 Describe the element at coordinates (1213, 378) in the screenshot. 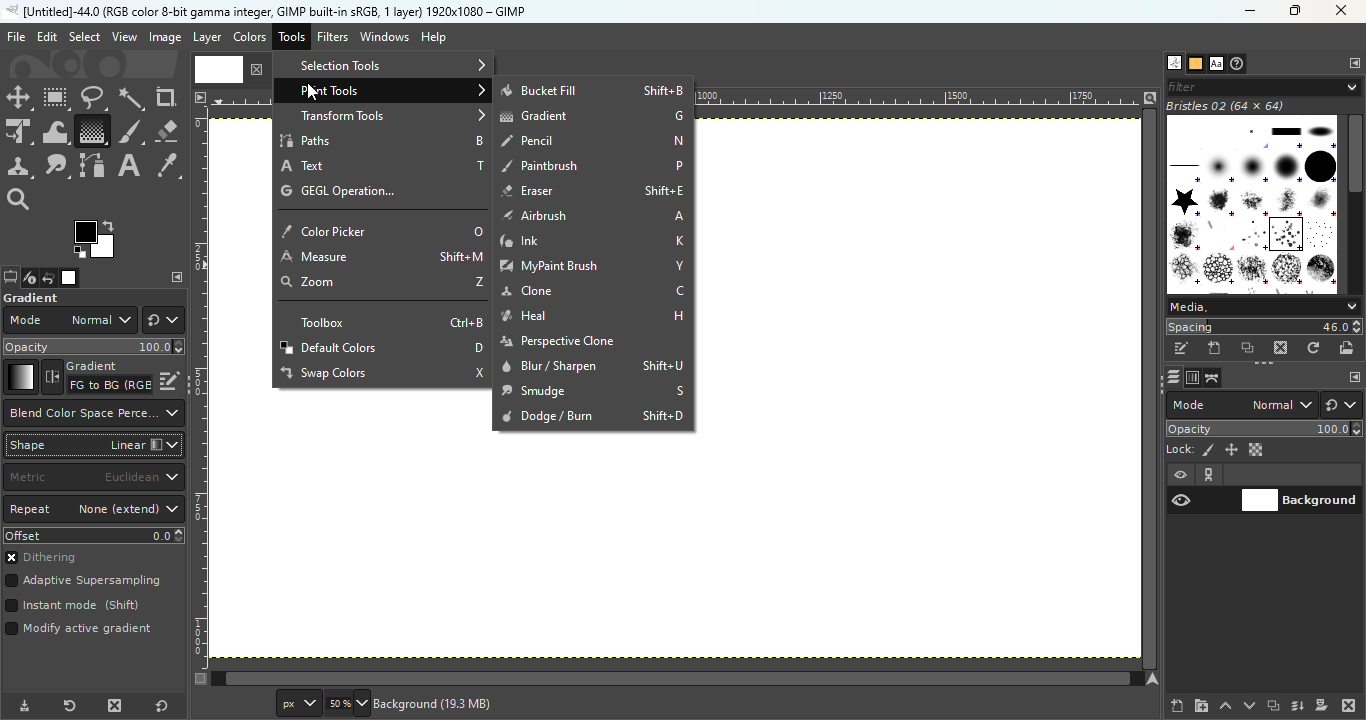

I see `Open the paths dialog` at that location.